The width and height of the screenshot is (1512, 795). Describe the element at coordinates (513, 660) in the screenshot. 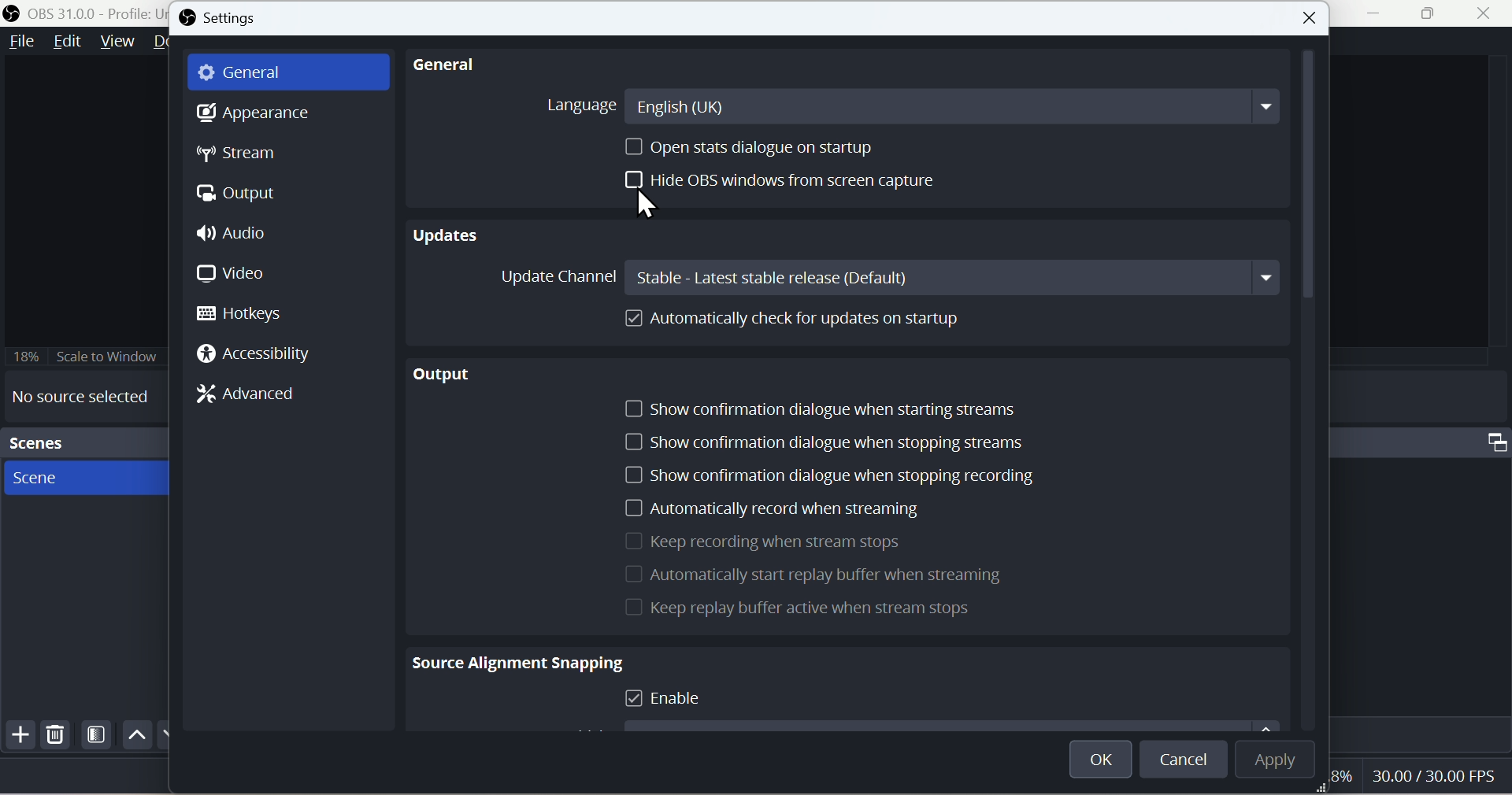

I see `Source Alignment Snapping` at that location.